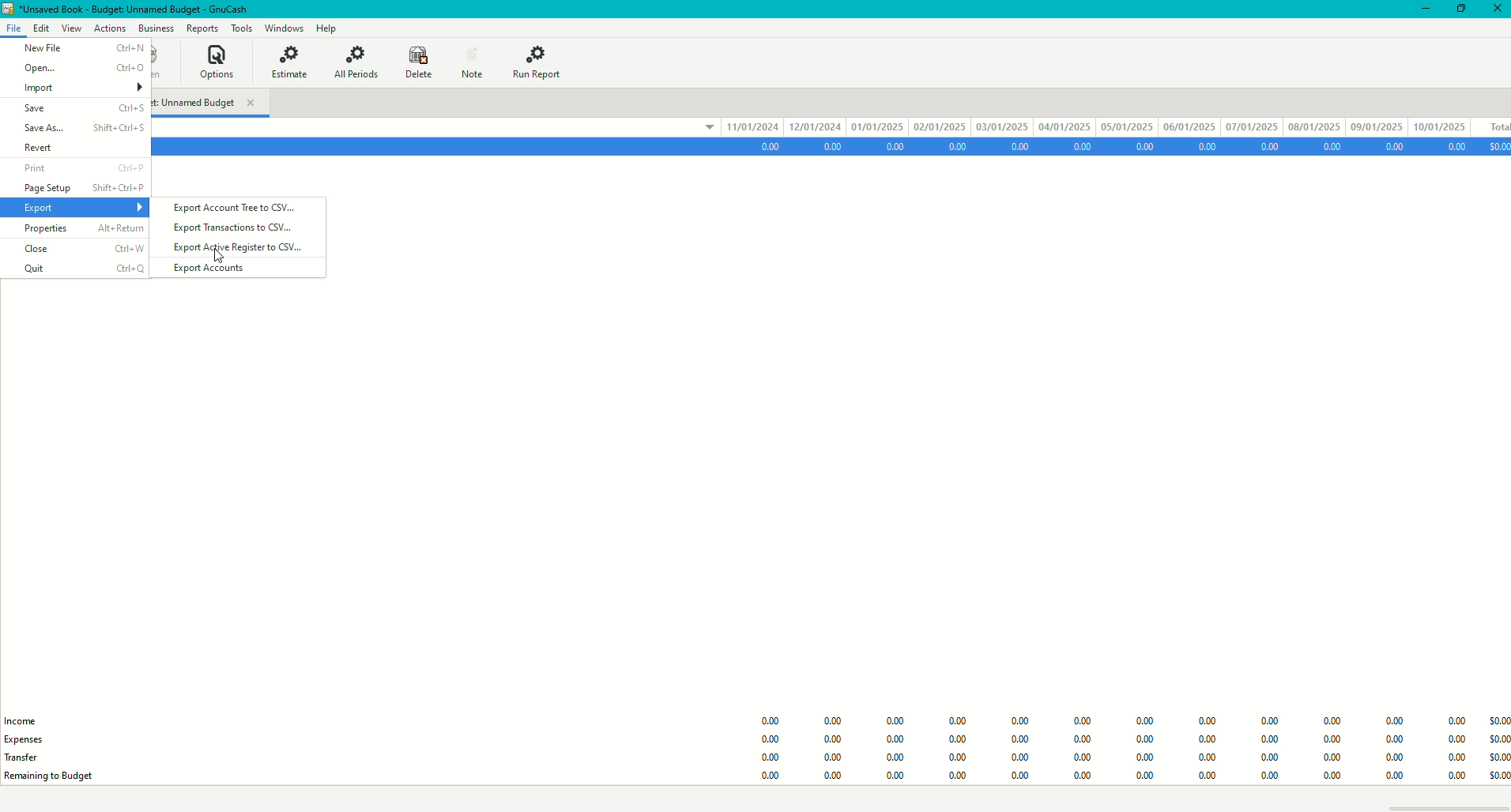 The image size is (1511, 812). What do you see at coordinates (24, 757) in the screenshot?
I see `Transfer` at bounding box center [24, 757].